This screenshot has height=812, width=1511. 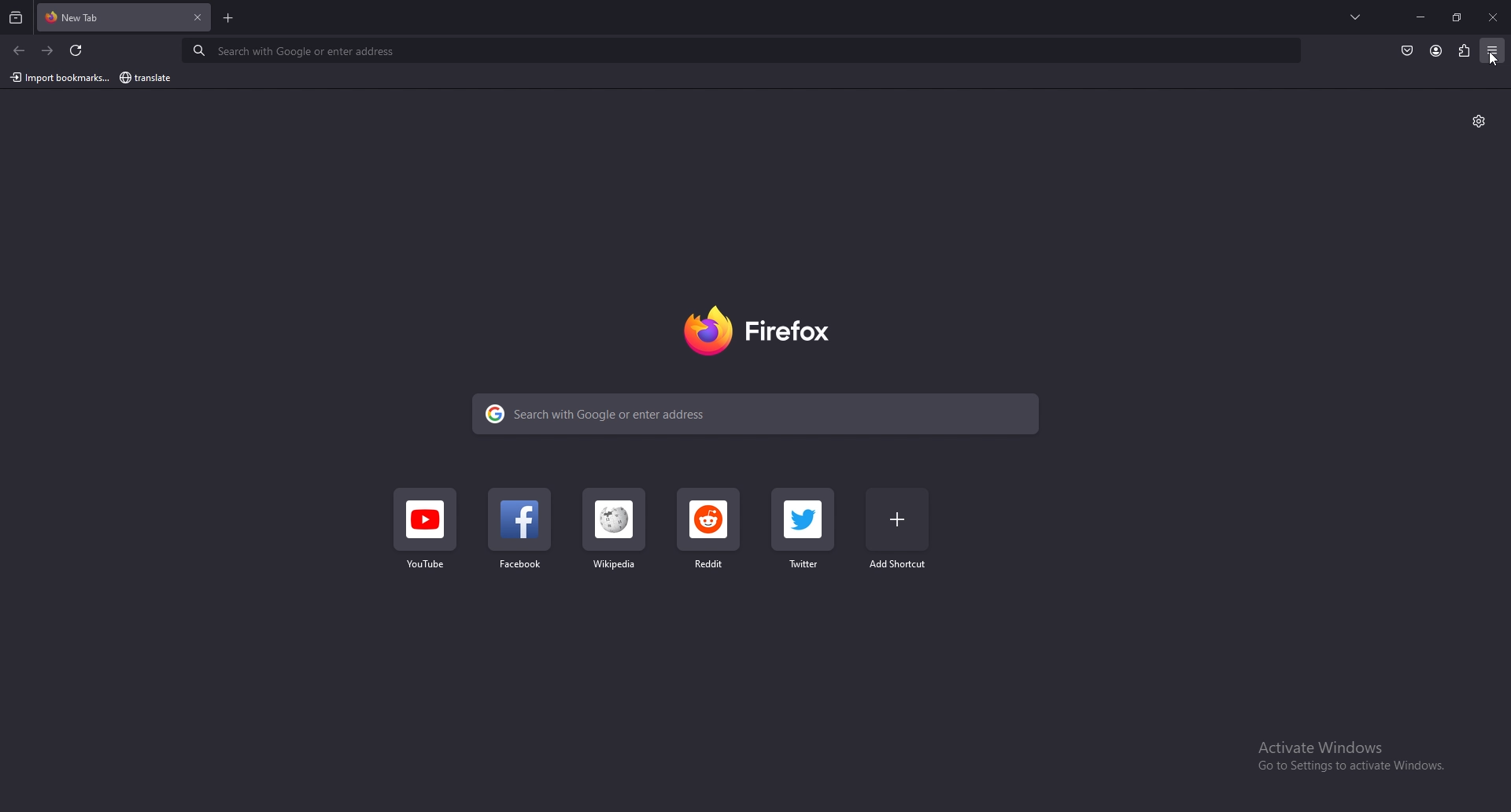 I want to click on list all tabs, so click(x=1358, y=17).